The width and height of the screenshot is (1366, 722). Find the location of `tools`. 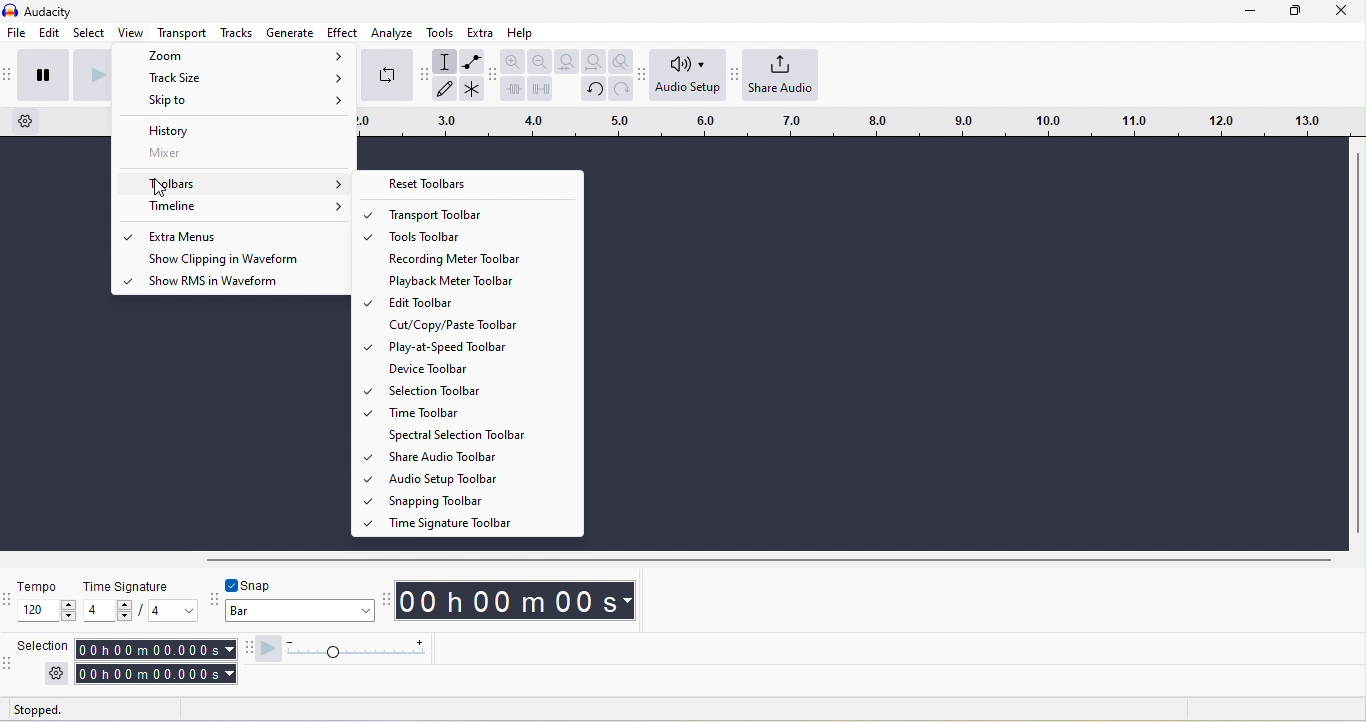

tools is located at coordinates (440, 33).